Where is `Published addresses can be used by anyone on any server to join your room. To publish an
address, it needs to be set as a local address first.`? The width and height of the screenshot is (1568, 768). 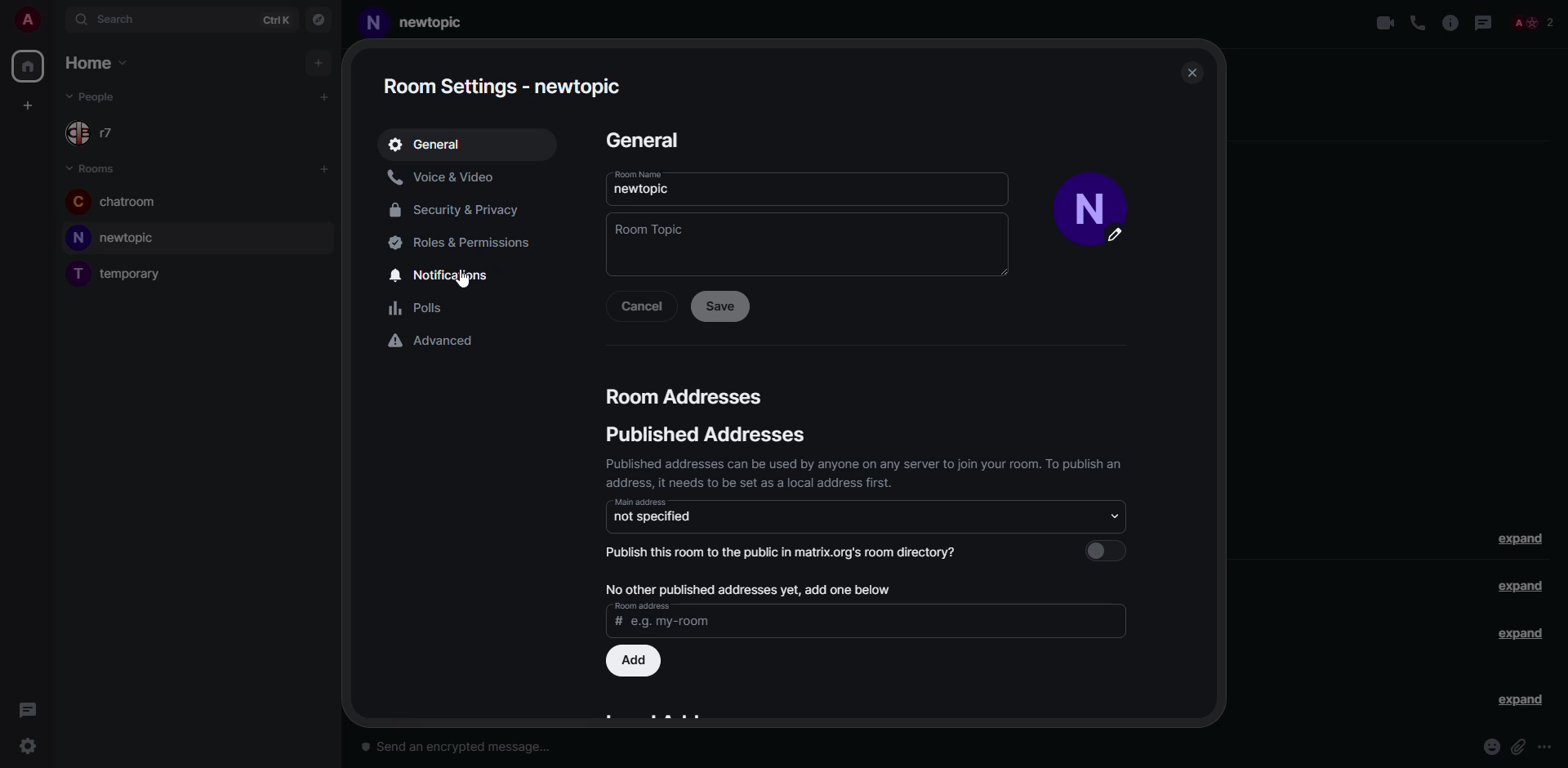 Published addresses can be used by anyone on any server to join your room. To publish an
address, it needs to be set as a local address first. is located at coordinates (866, 471).